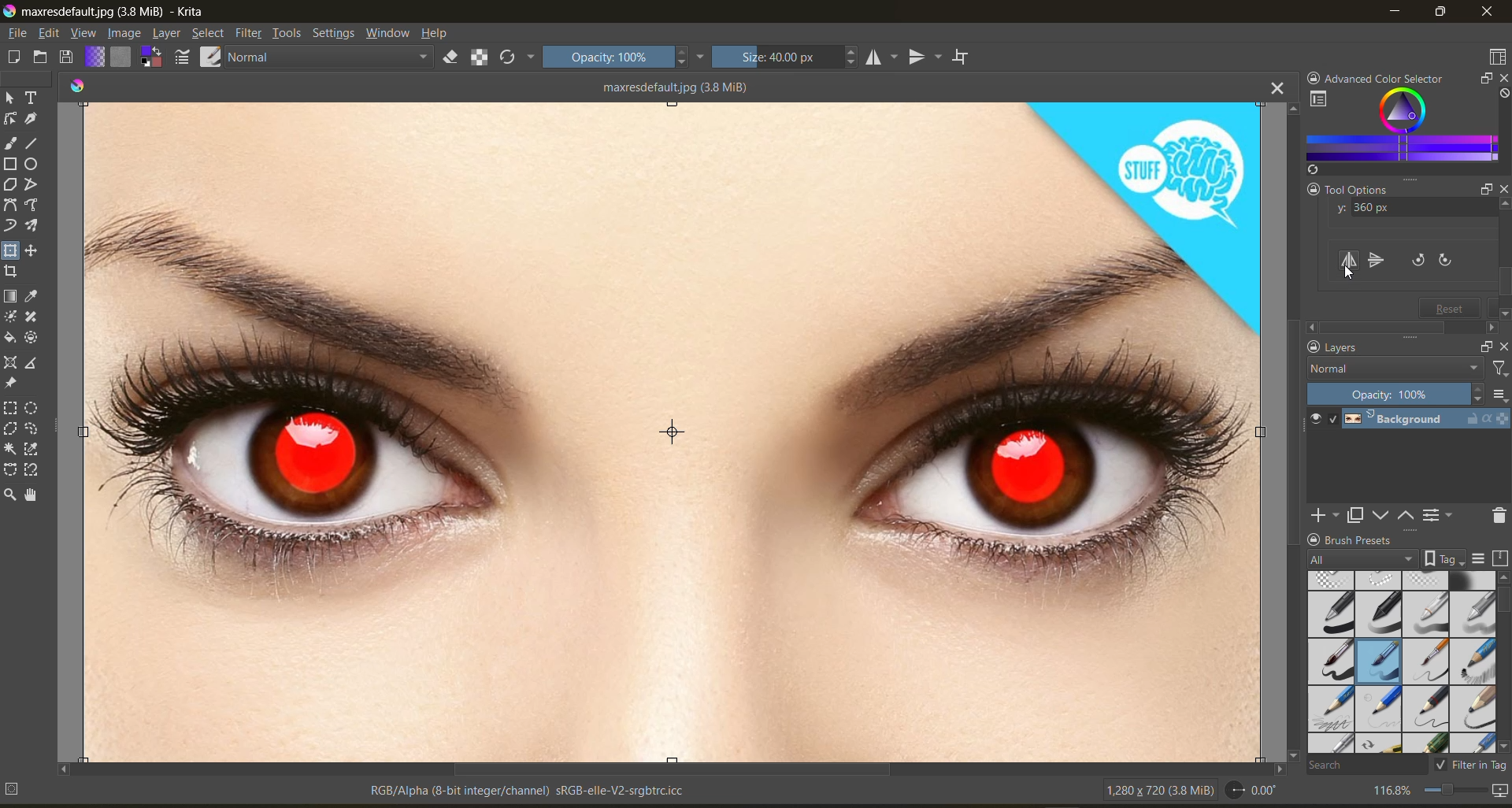 This screenshot has width=1512, height=808. Describe the element at coordinates (33, 450) in the screenshot. I see `tool` at that location.